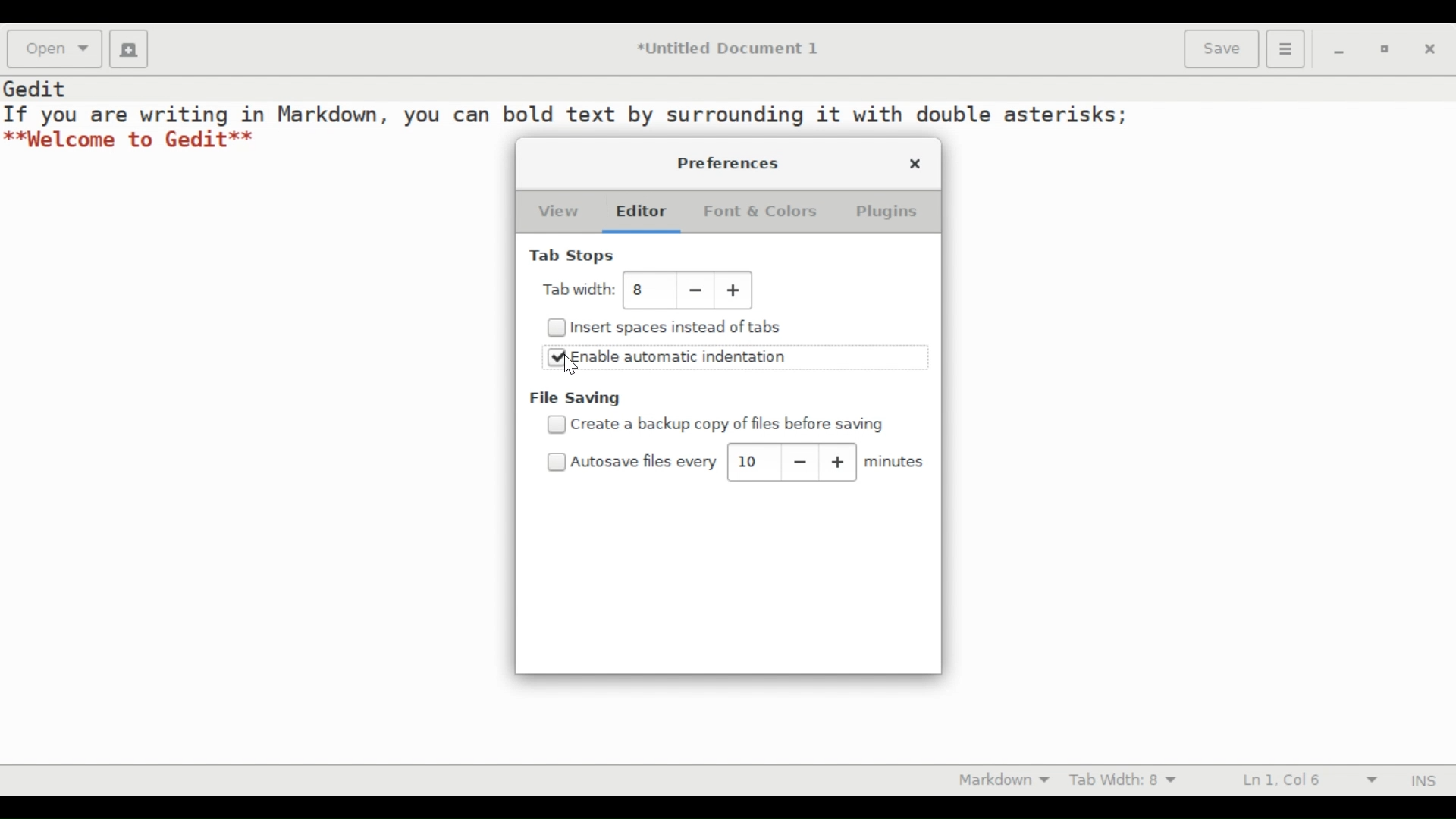 This screenshot has width=1456, height=819. Describe the element at coordinates (557, 329) in the screenshot. I see `Checkbox` at that location.